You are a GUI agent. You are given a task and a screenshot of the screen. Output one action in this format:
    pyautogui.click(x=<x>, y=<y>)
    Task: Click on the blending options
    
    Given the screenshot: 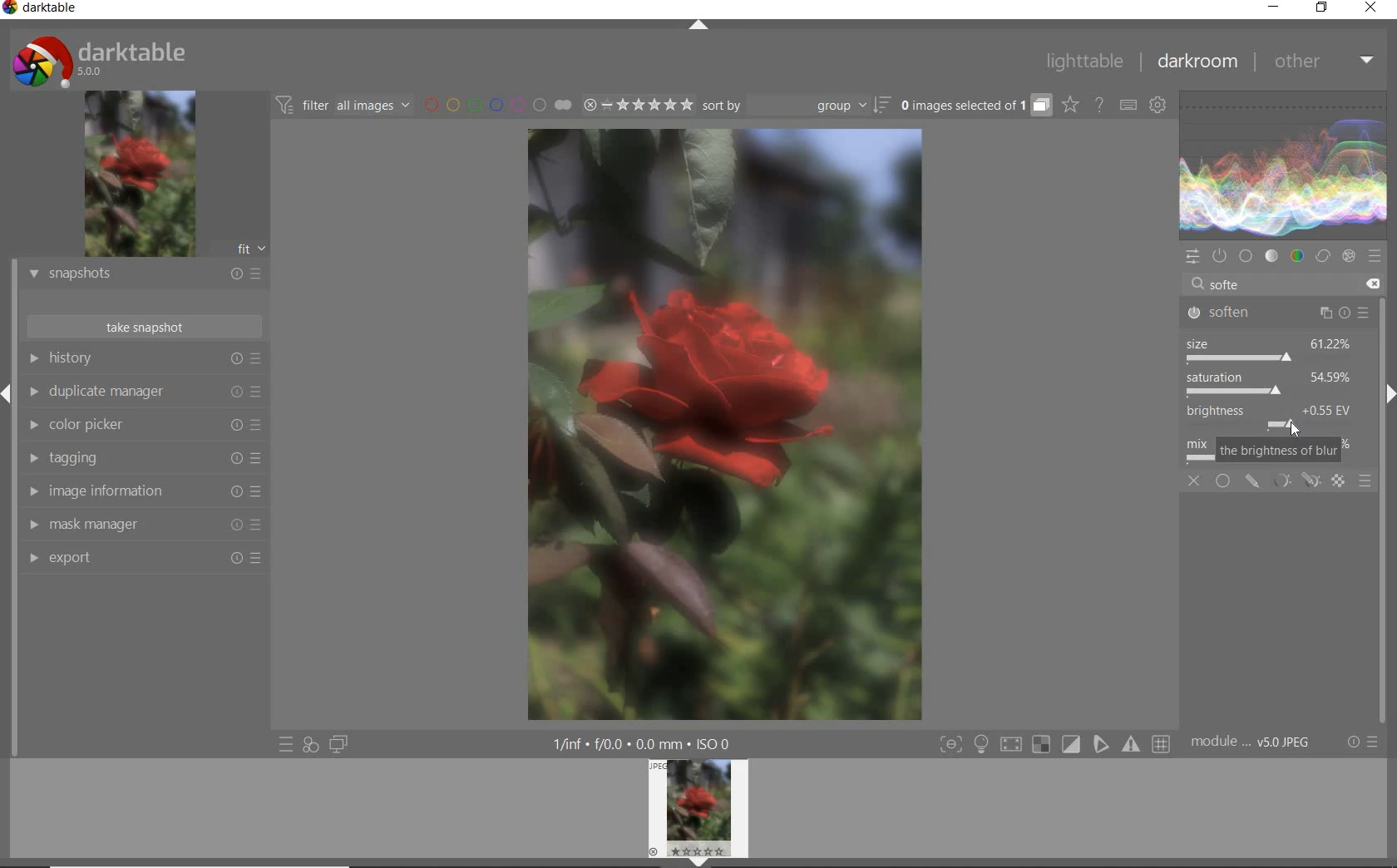 What is the action you would take?
    pyautogui.click(x=1365, y=484)
    